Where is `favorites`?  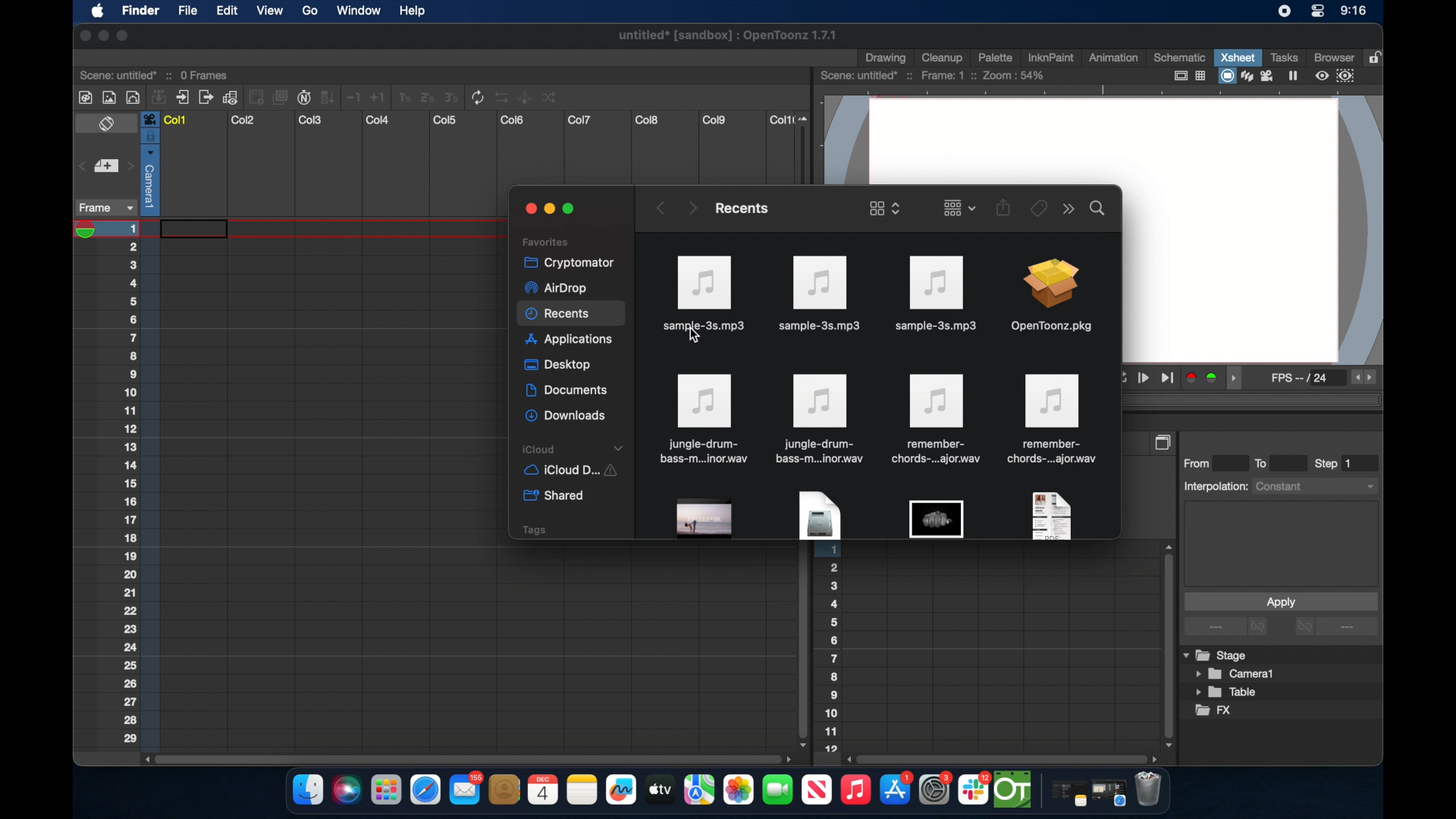 favorites is located at coordinates (545, 241).